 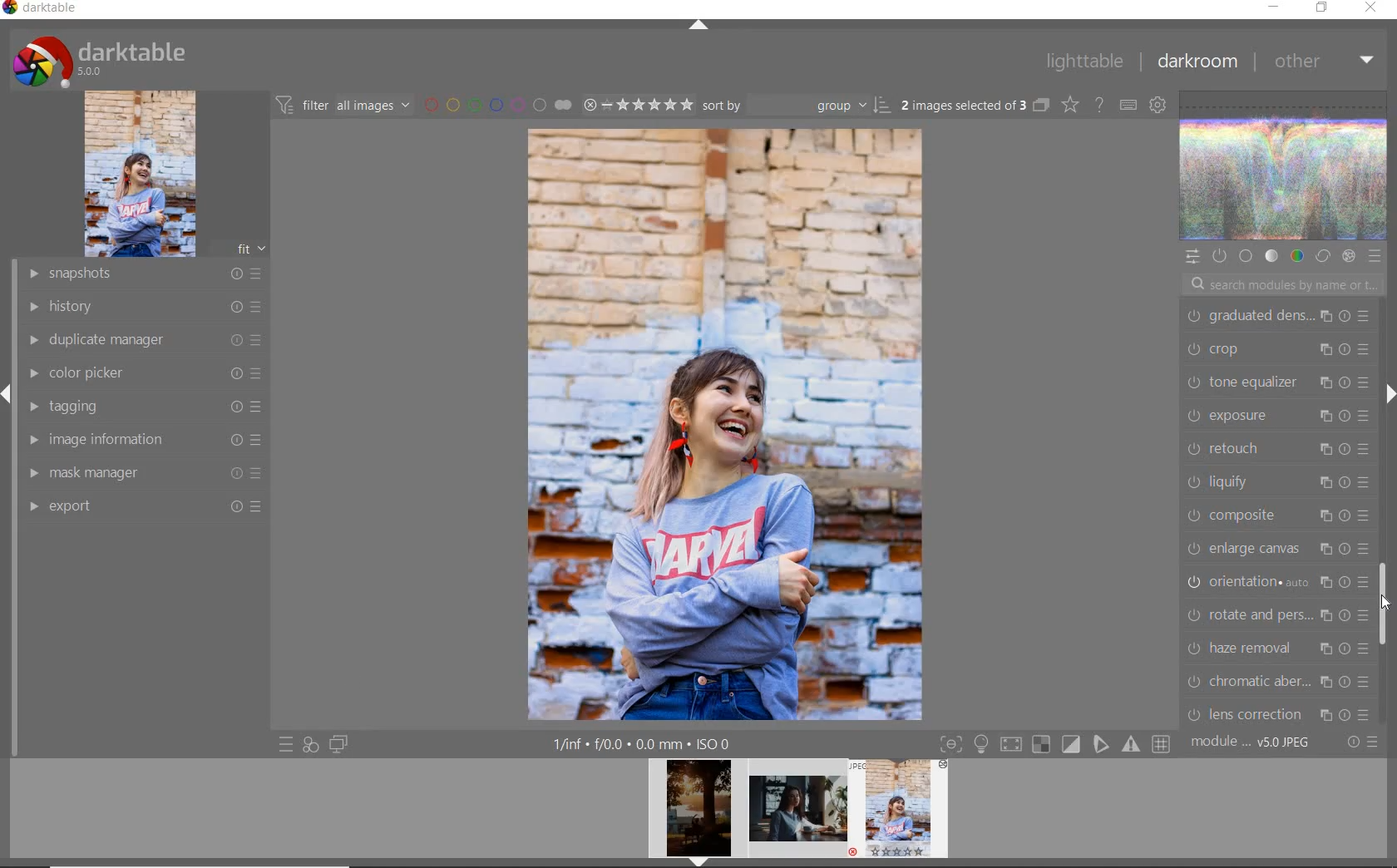 I want to click on history, so click(x=144, y=305).